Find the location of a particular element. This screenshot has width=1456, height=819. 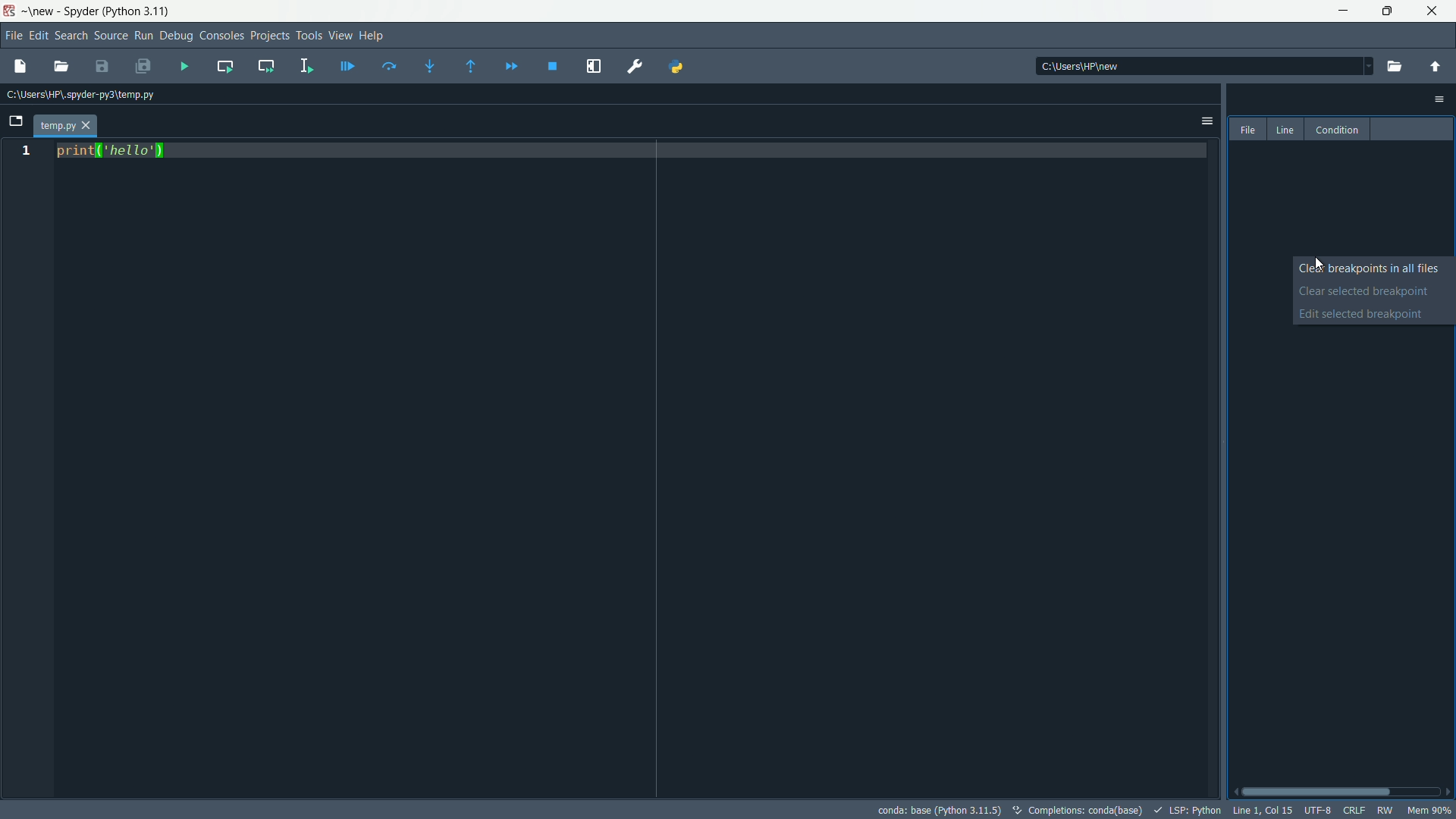

new file is located at coordinates (17, 67).